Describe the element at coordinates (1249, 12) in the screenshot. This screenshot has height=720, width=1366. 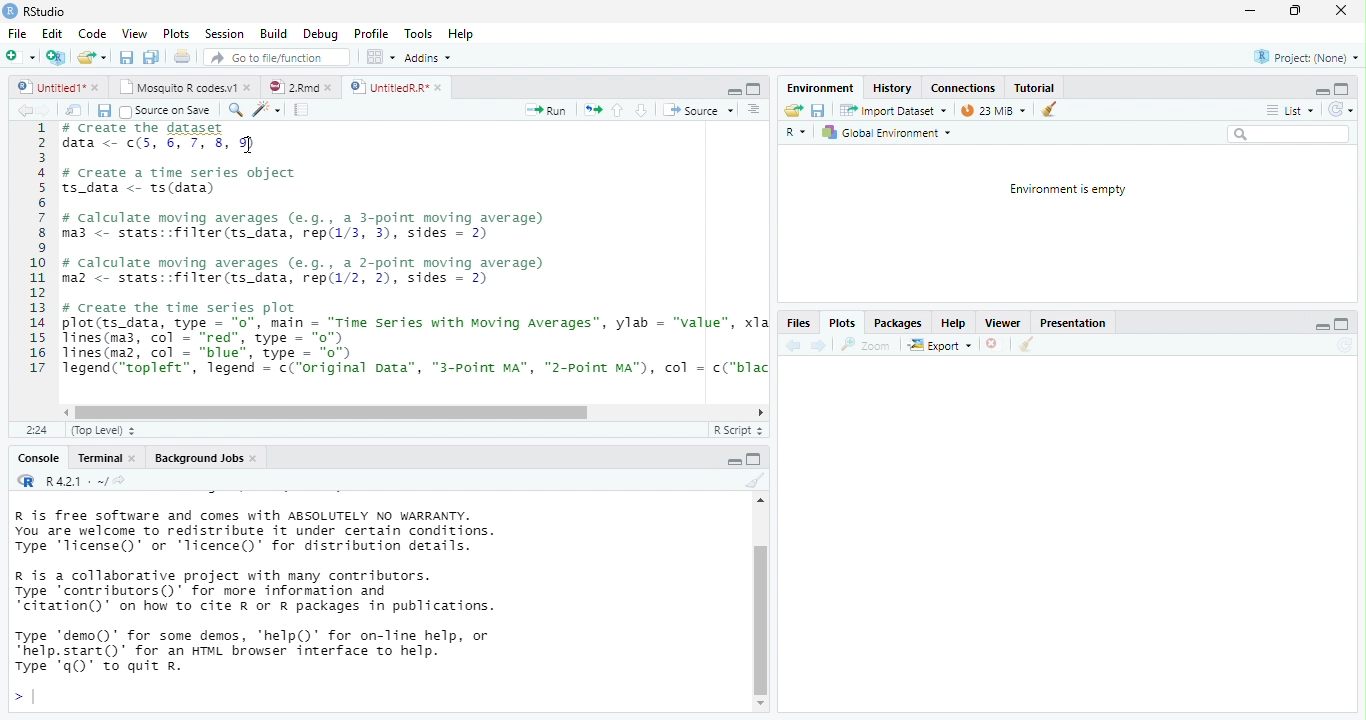
I see `minimize` at that location.